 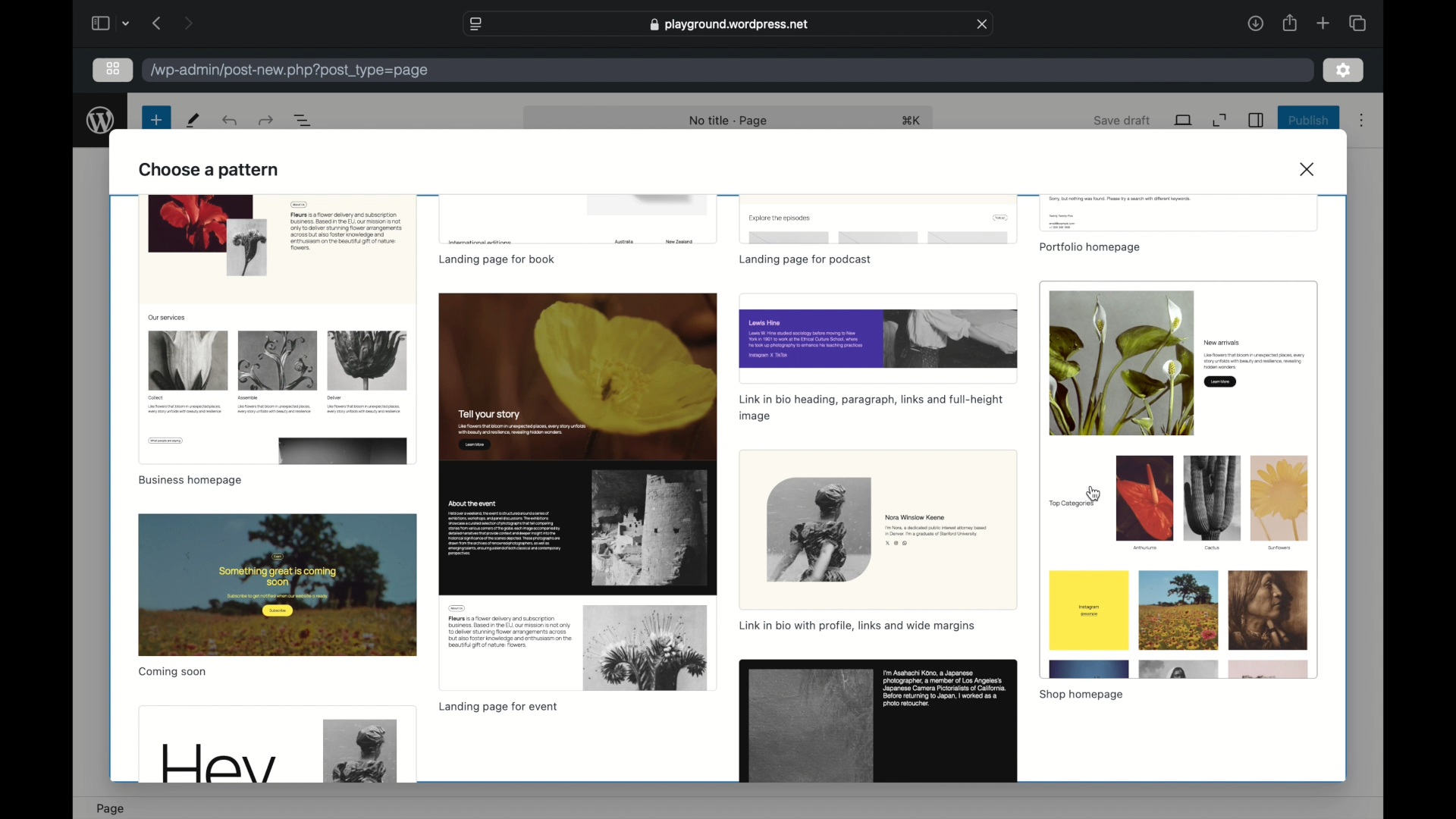 I want to click on view, so click(x=1183, y=121).